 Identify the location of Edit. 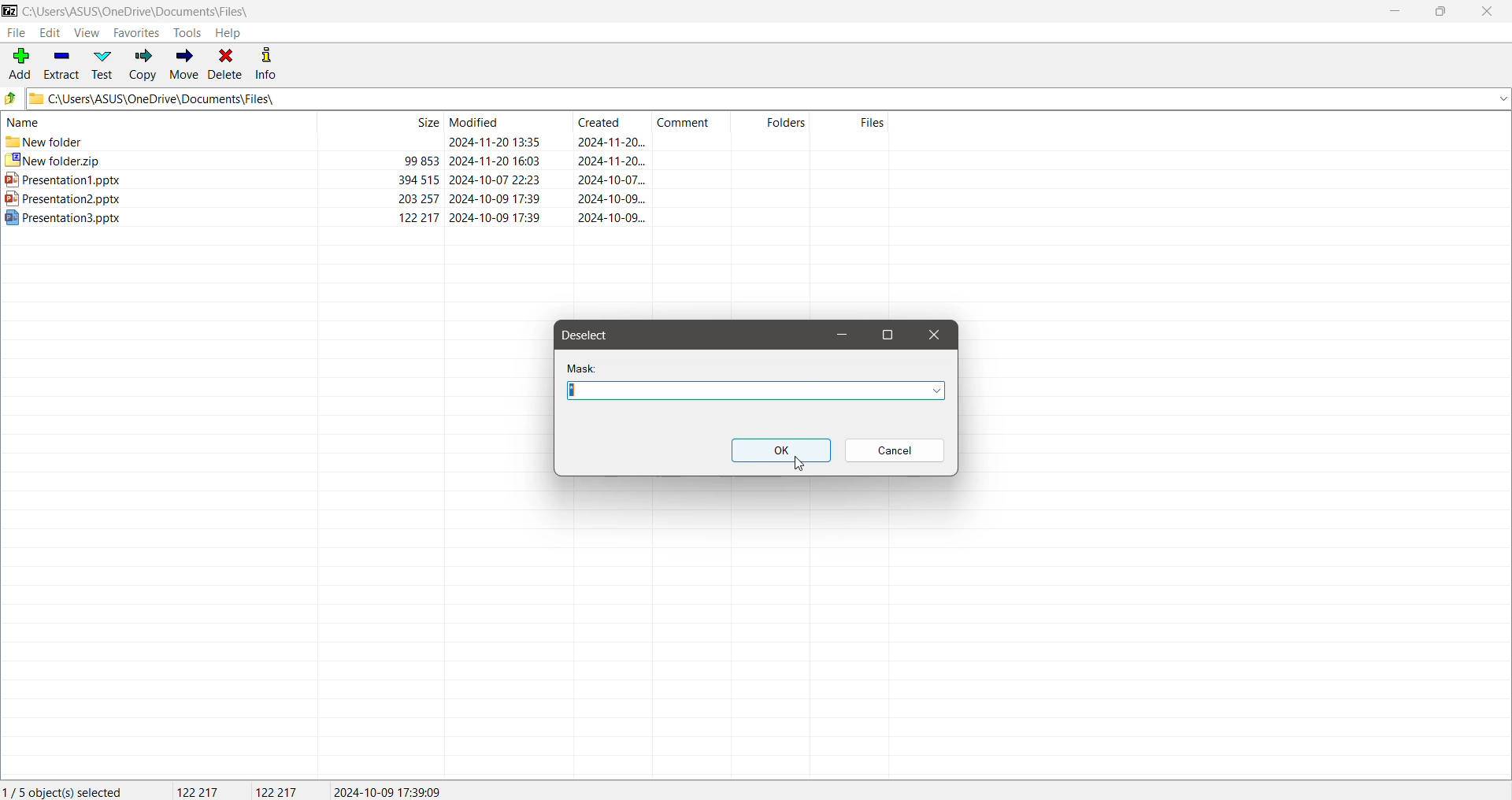
(53, 33).